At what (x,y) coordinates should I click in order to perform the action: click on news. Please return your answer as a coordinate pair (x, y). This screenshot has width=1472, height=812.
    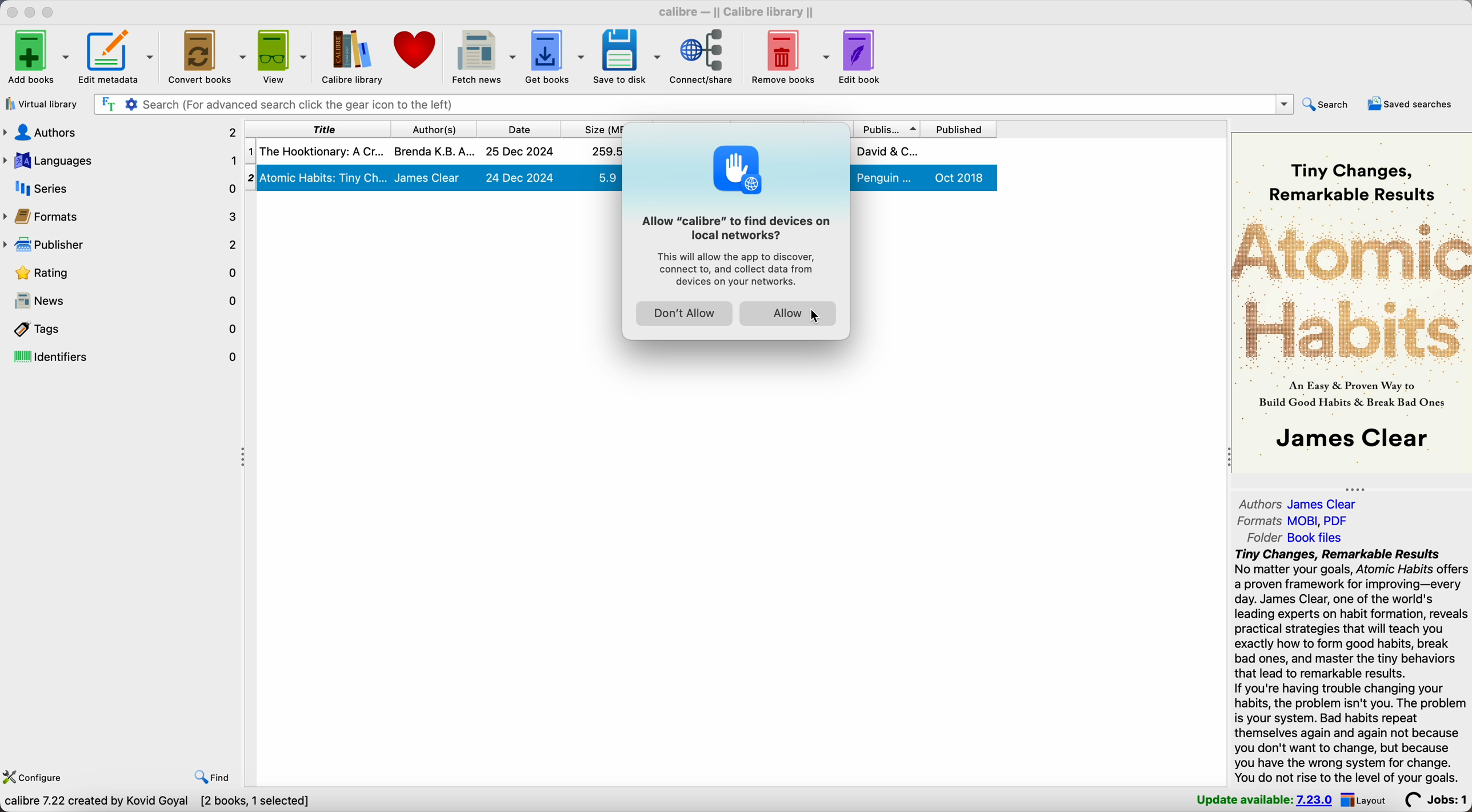
    Looking at the image, I should click on (122, 301).